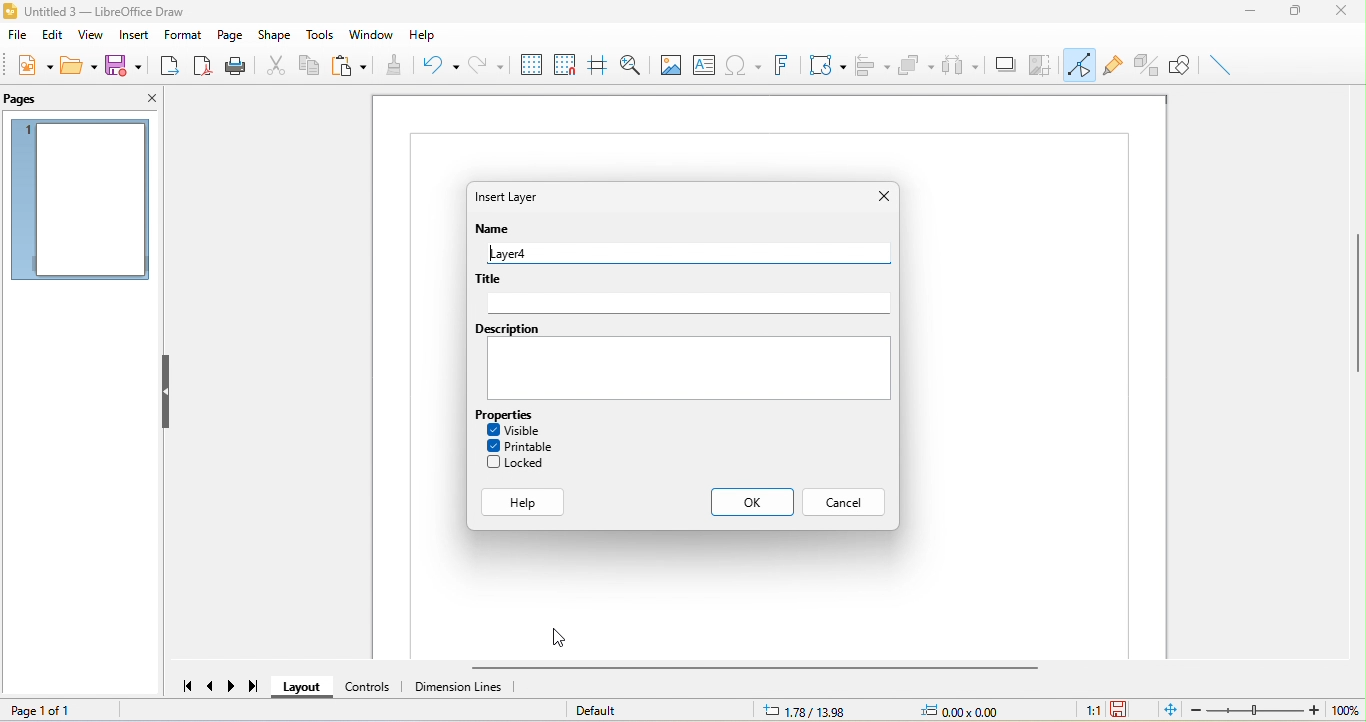 This screenshot has height=722, width=1366. I want to click on select at least three object to distribute, so click(961, 64).